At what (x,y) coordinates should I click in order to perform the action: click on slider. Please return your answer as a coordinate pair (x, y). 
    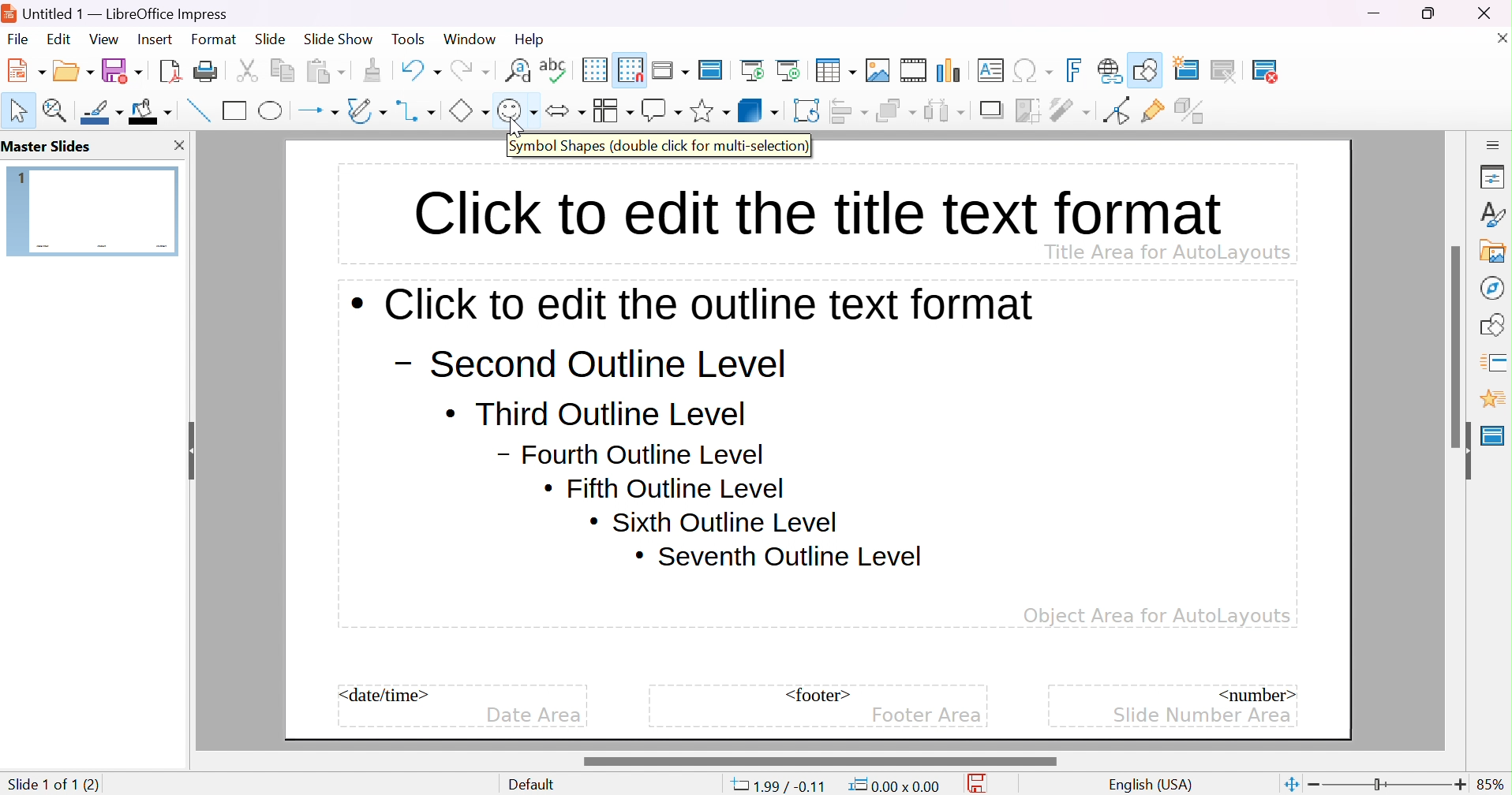
    Looking at the image, I should click on (818, 761).